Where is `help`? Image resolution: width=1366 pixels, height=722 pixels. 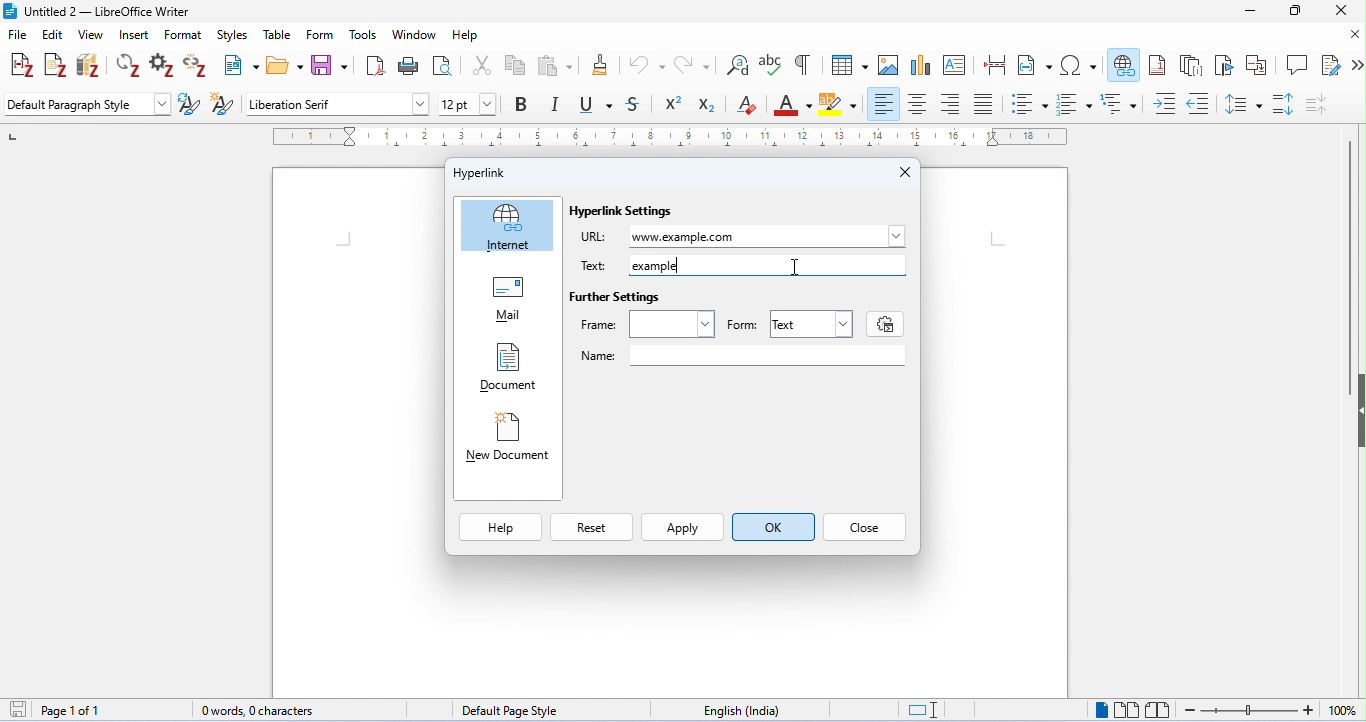 help is located at coordinates (466, 36).